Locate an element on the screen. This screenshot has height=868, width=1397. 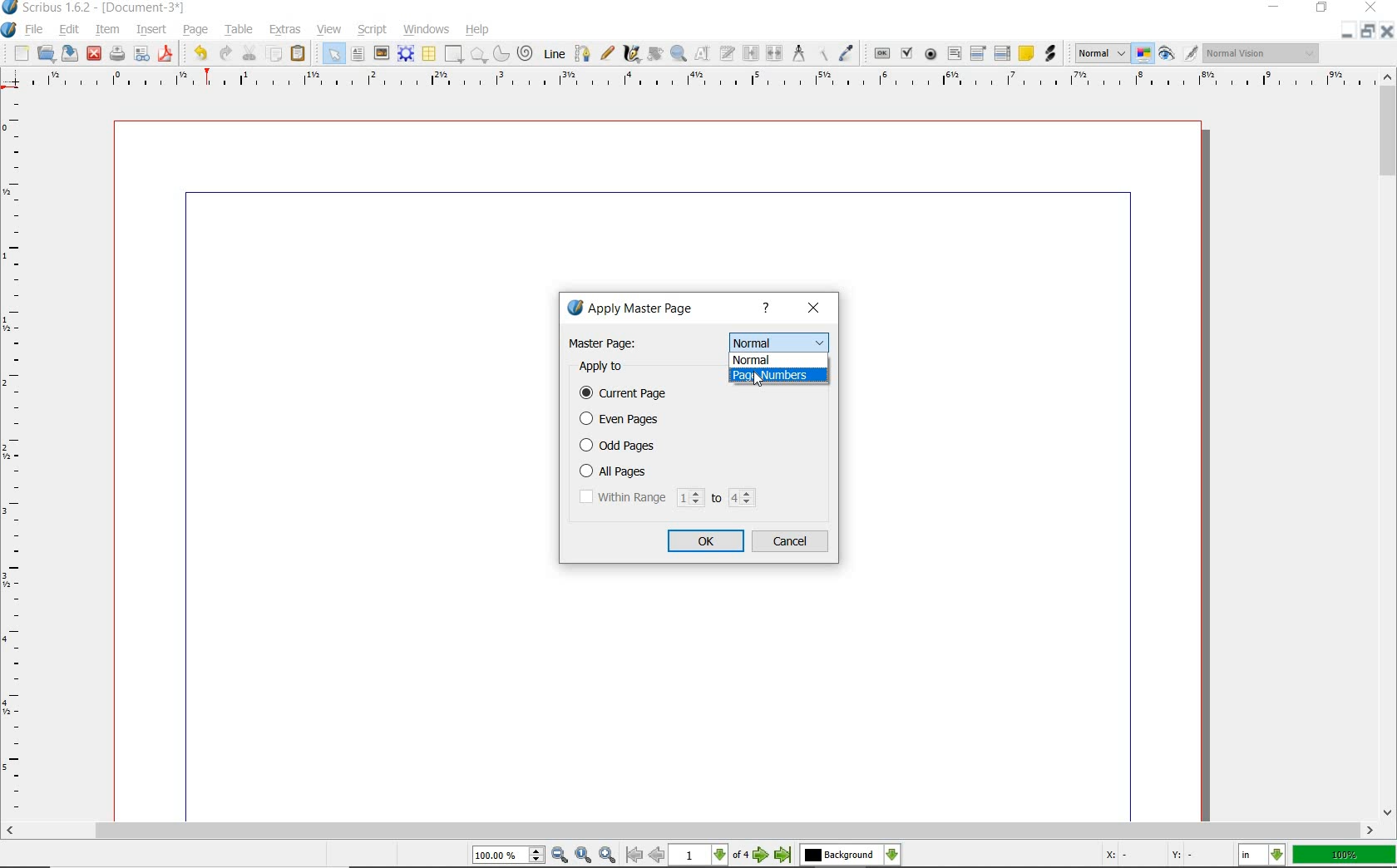
scrollbar is located at coordinates (1389, 445).